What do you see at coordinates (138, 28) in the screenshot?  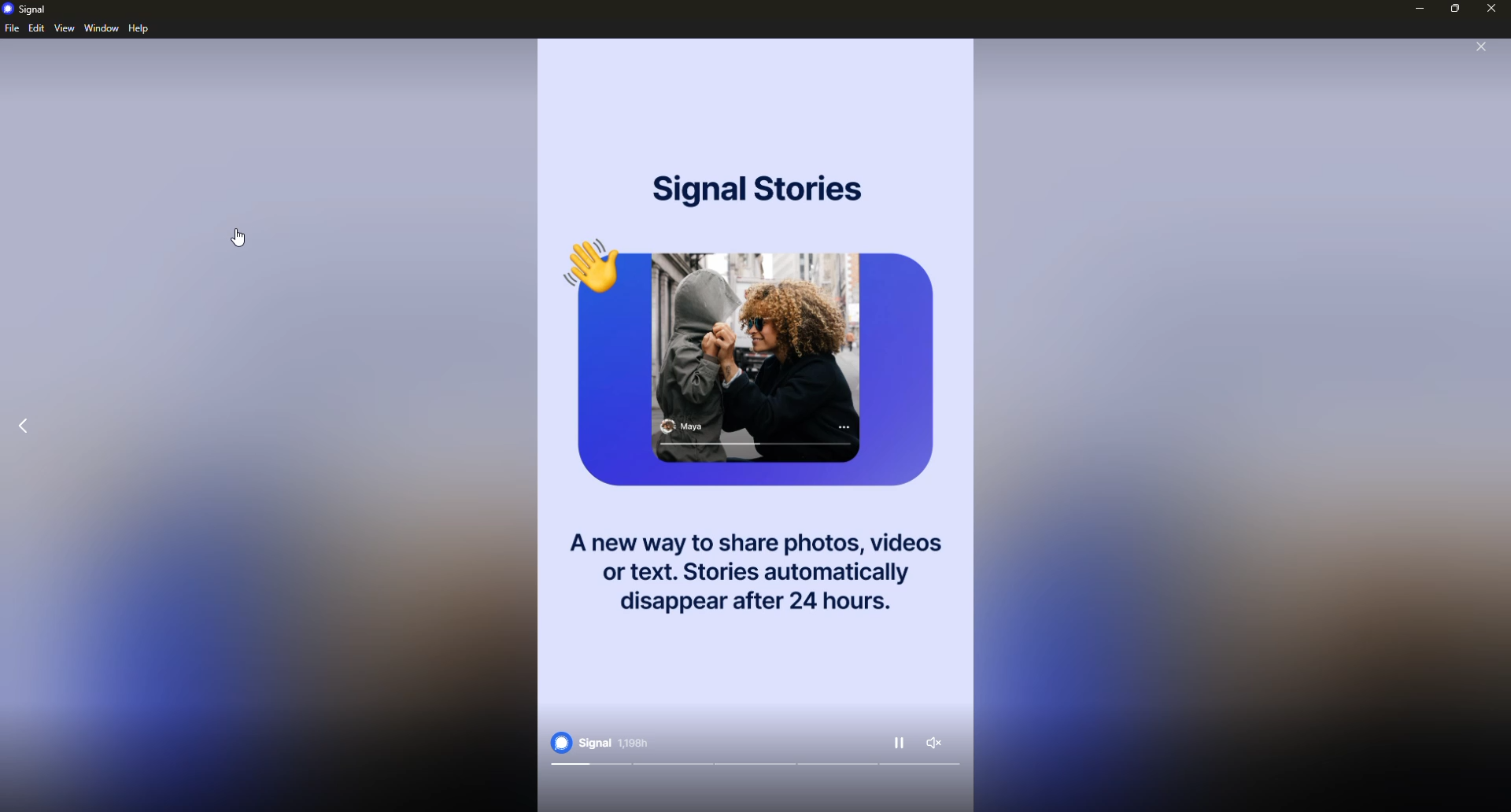 I see `help` at bounding box center [138, 28].